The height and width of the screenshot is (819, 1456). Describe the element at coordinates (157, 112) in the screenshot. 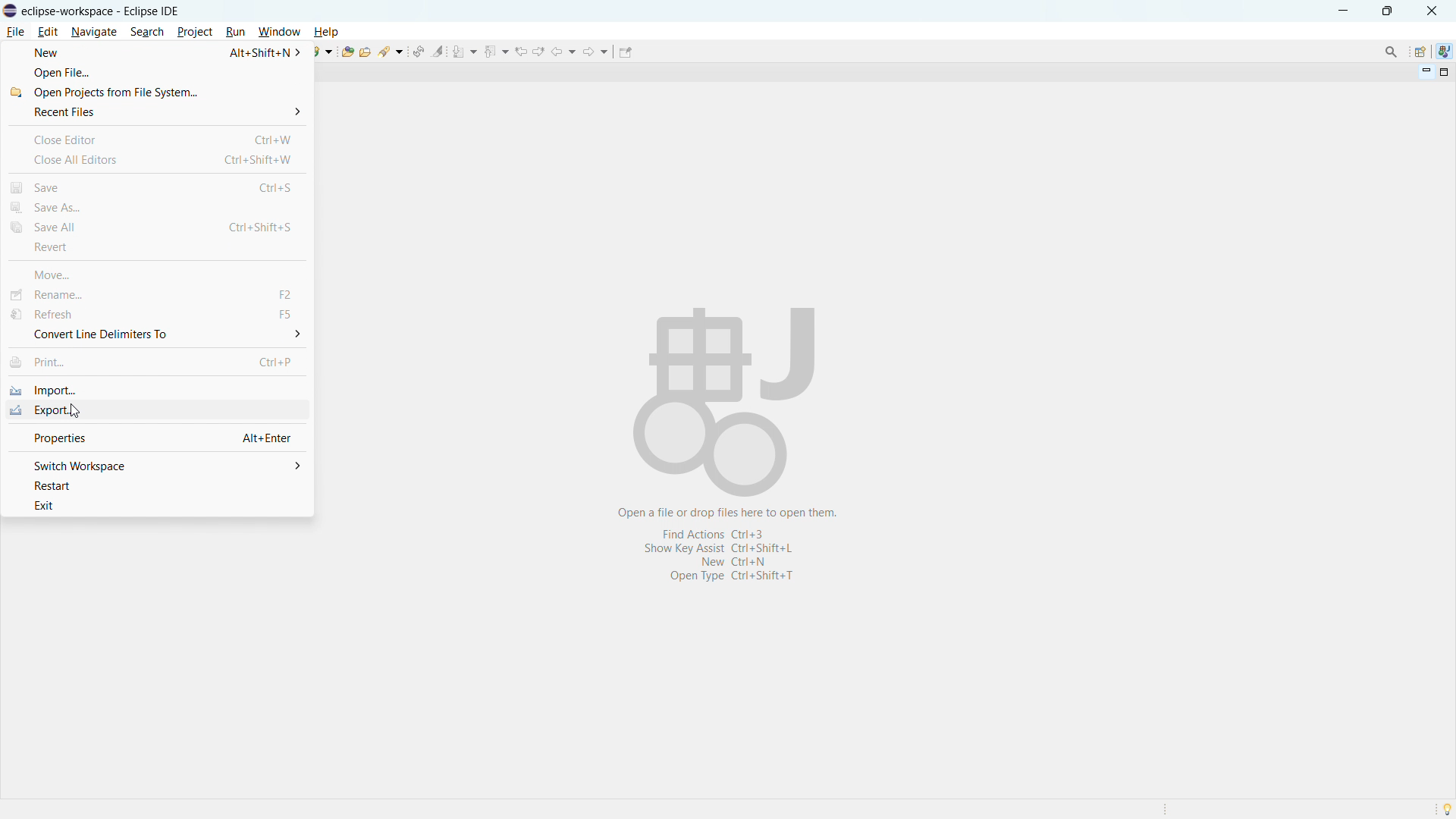

I see `recent files` at that location.